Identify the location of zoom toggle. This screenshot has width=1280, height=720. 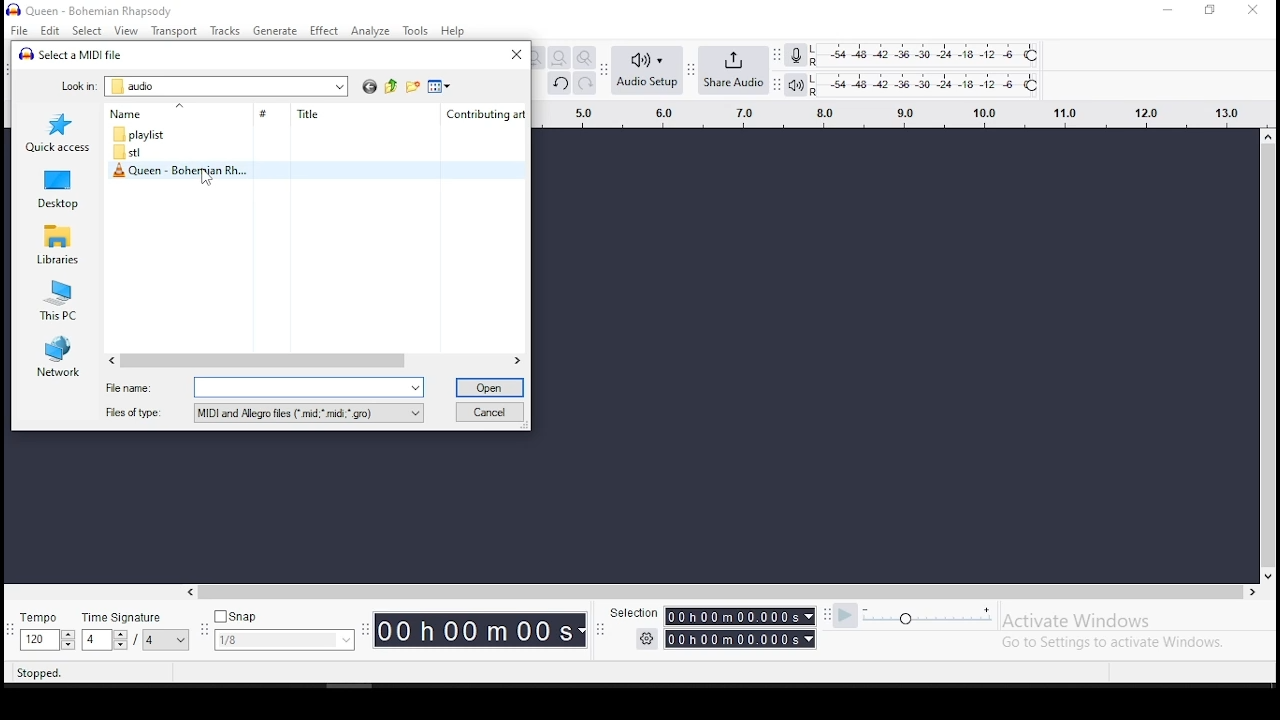
(584, 58).